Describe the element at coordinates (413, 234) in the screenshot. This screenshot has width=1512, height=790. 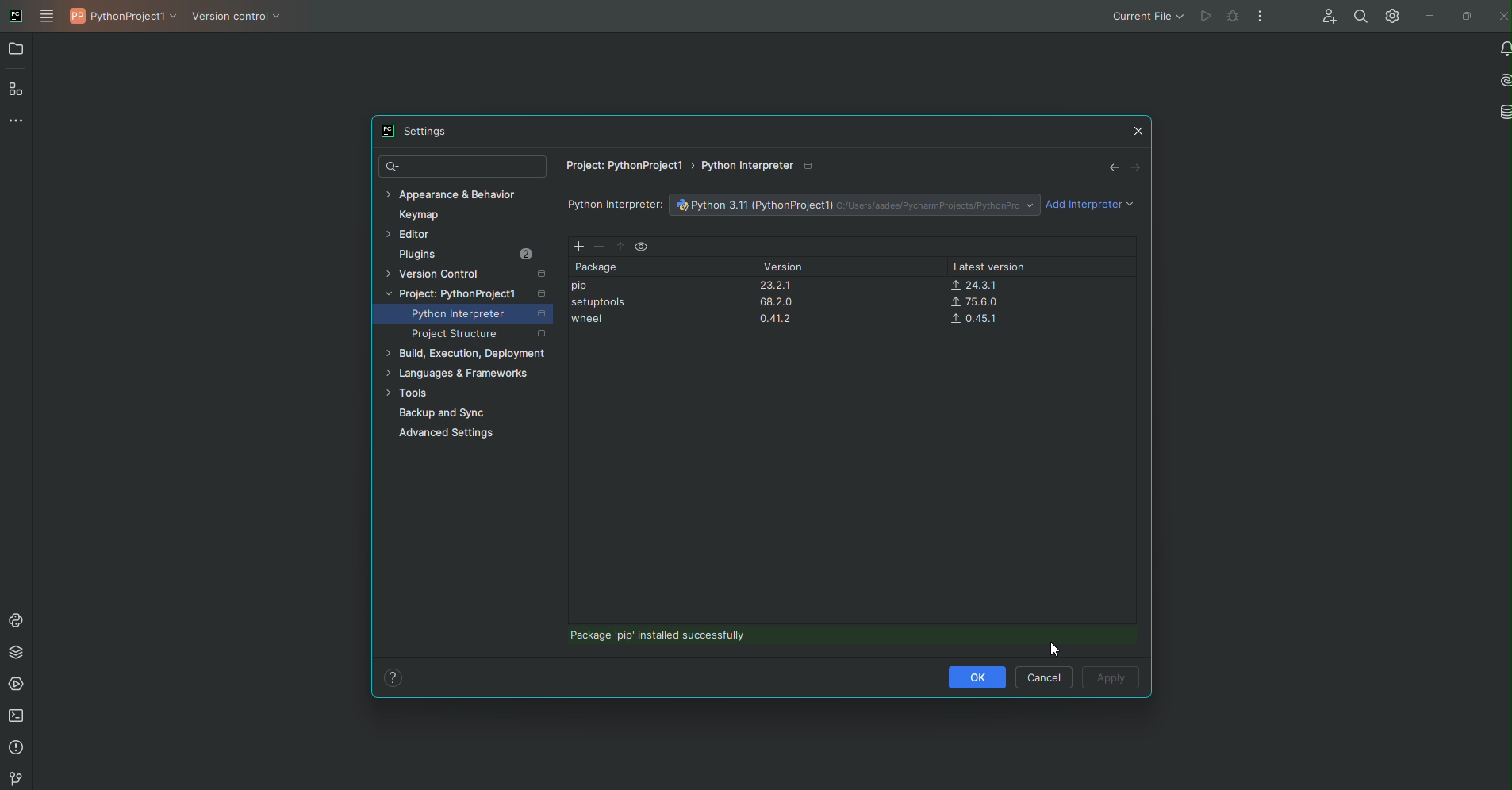
I see `Editor` at that location.